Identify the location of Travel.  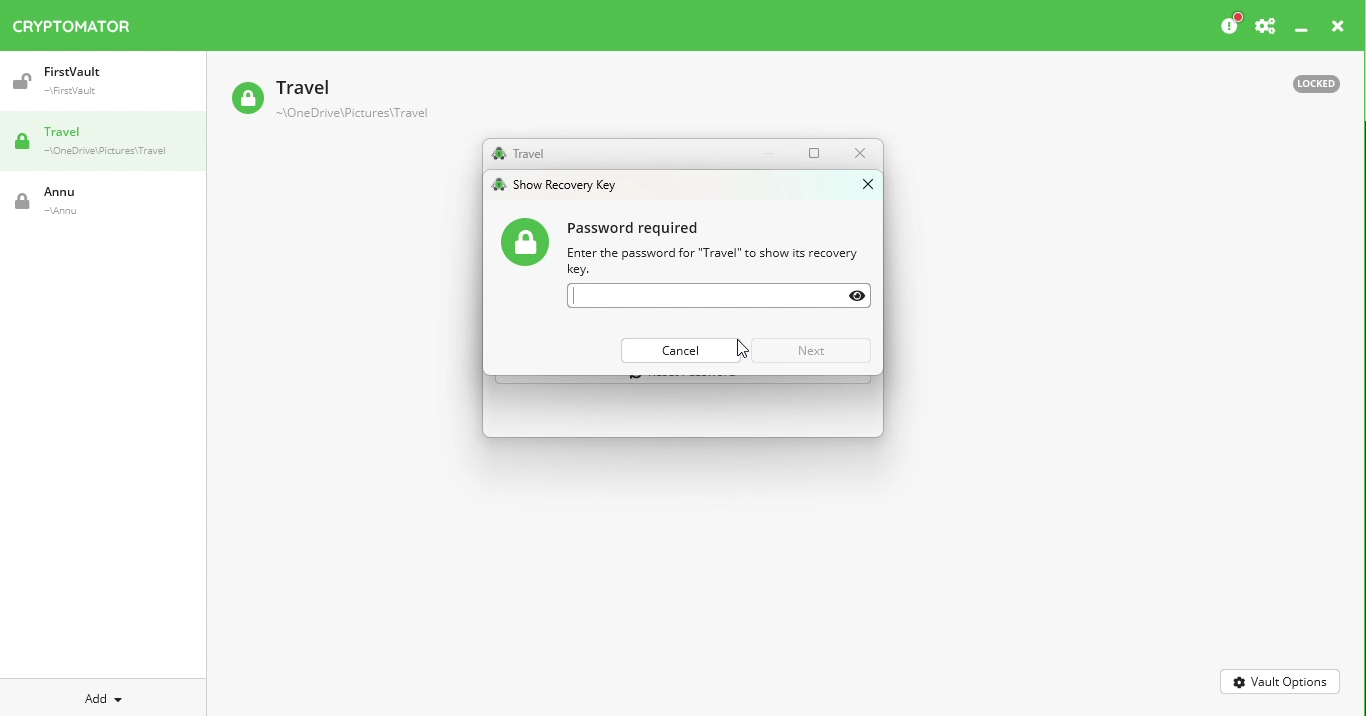
(518, 154).